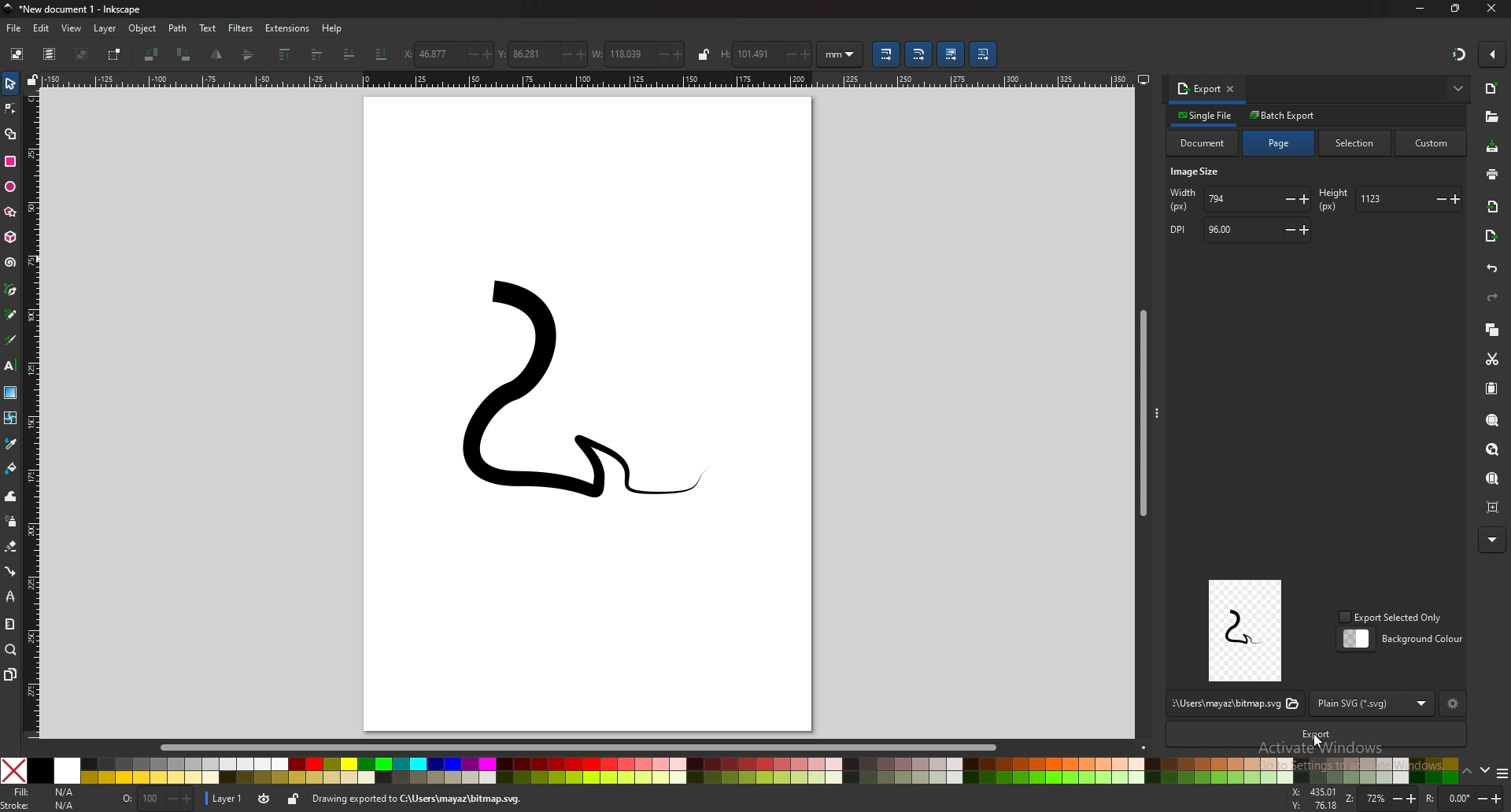  Describe the element at coordinates (542, 54) in the screenshot. I see `y coordinates` at that location.